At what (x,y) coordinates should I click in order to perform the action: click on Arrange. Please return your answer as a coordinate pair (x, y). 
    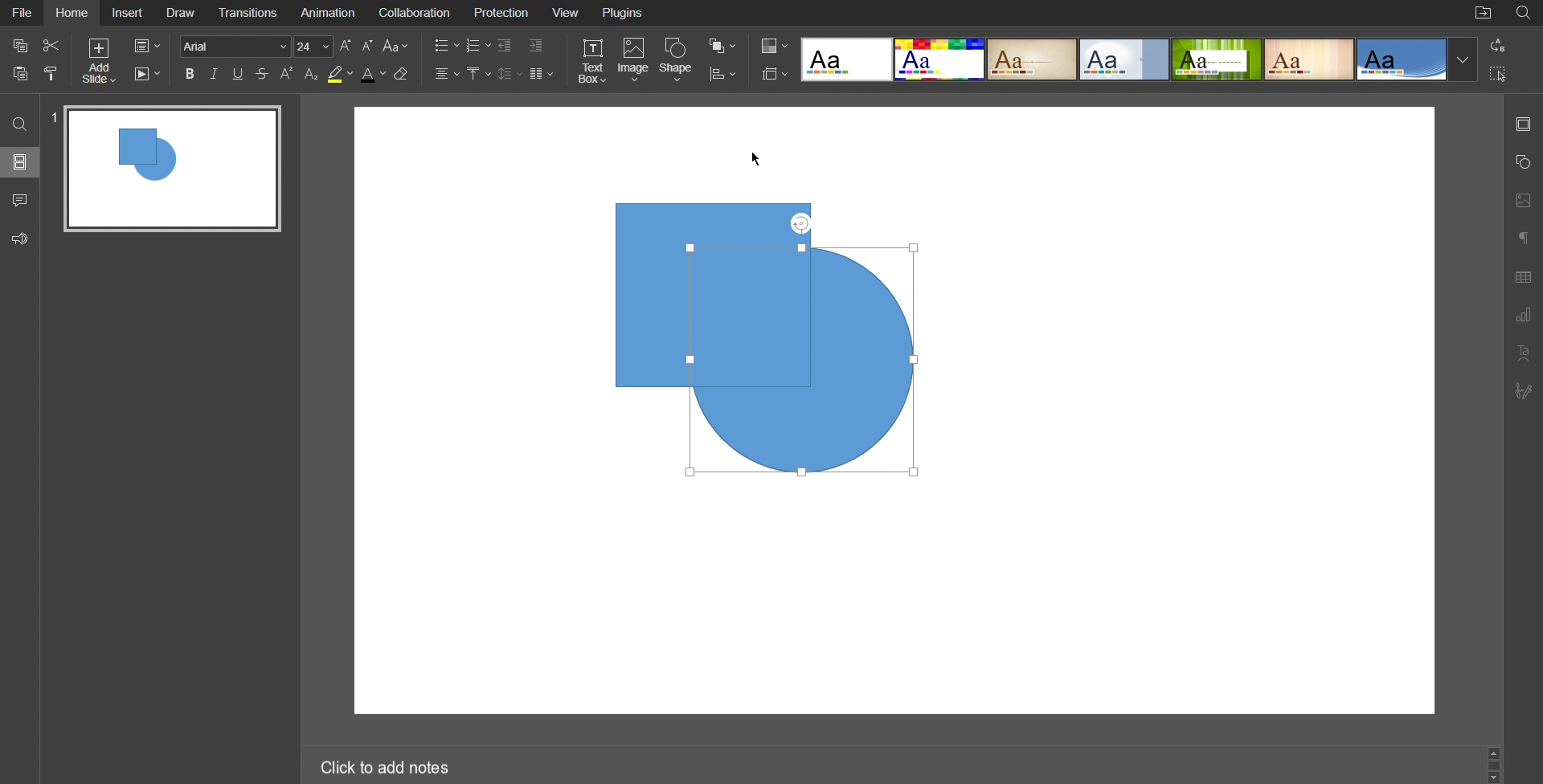
    Looking at the image, I should click on (722, 44).